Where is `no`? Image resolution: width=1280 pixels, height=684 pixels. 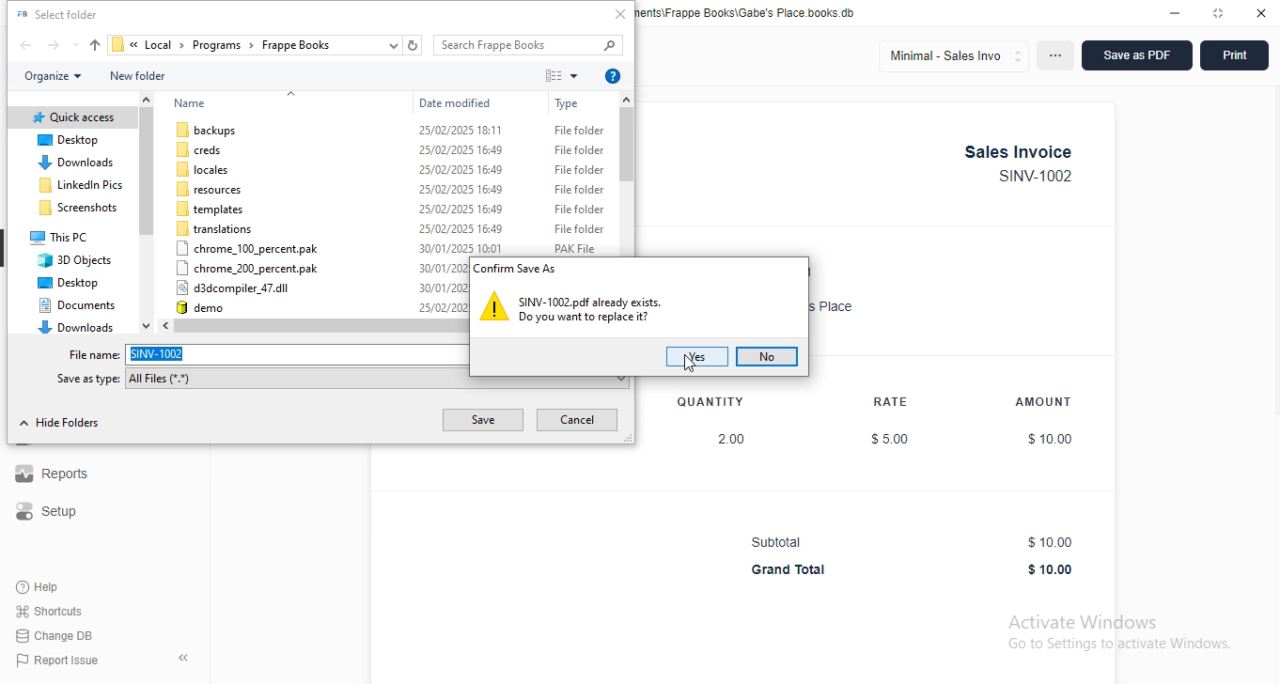 no is located at coordinates (767, 357).